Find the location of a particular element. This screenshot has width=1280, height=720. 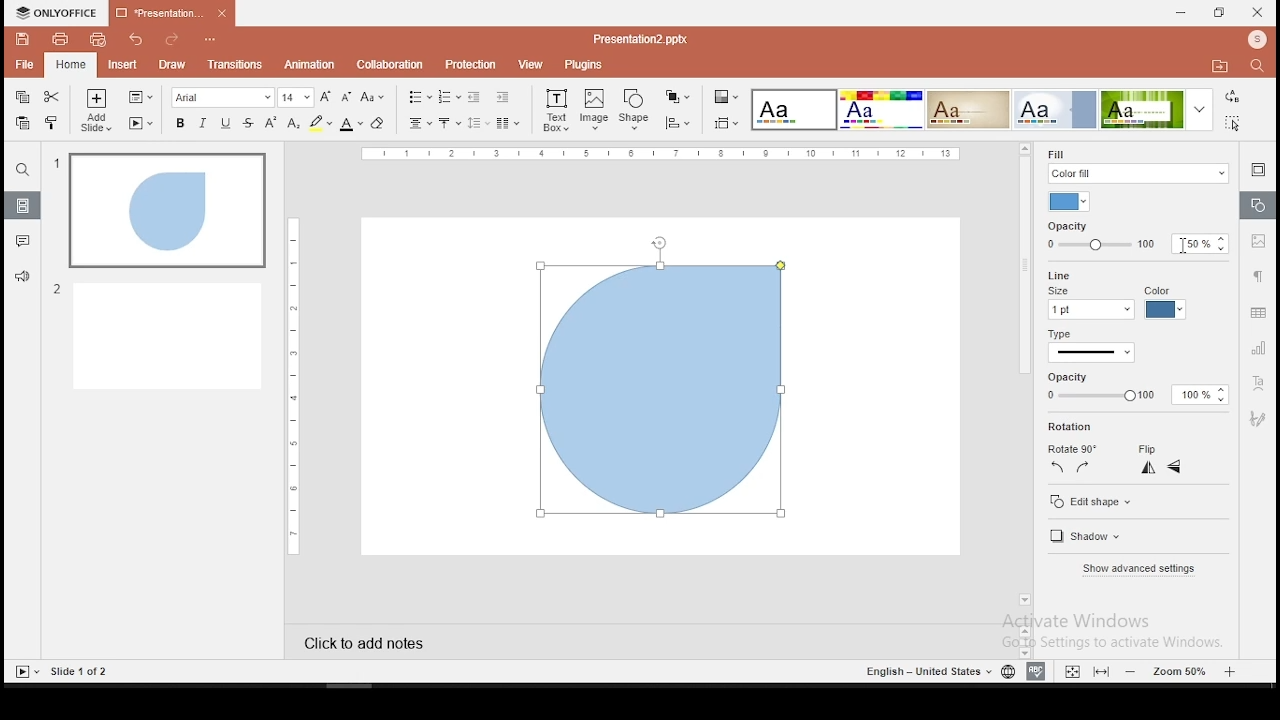

language is located at coordinates (1008, 672).